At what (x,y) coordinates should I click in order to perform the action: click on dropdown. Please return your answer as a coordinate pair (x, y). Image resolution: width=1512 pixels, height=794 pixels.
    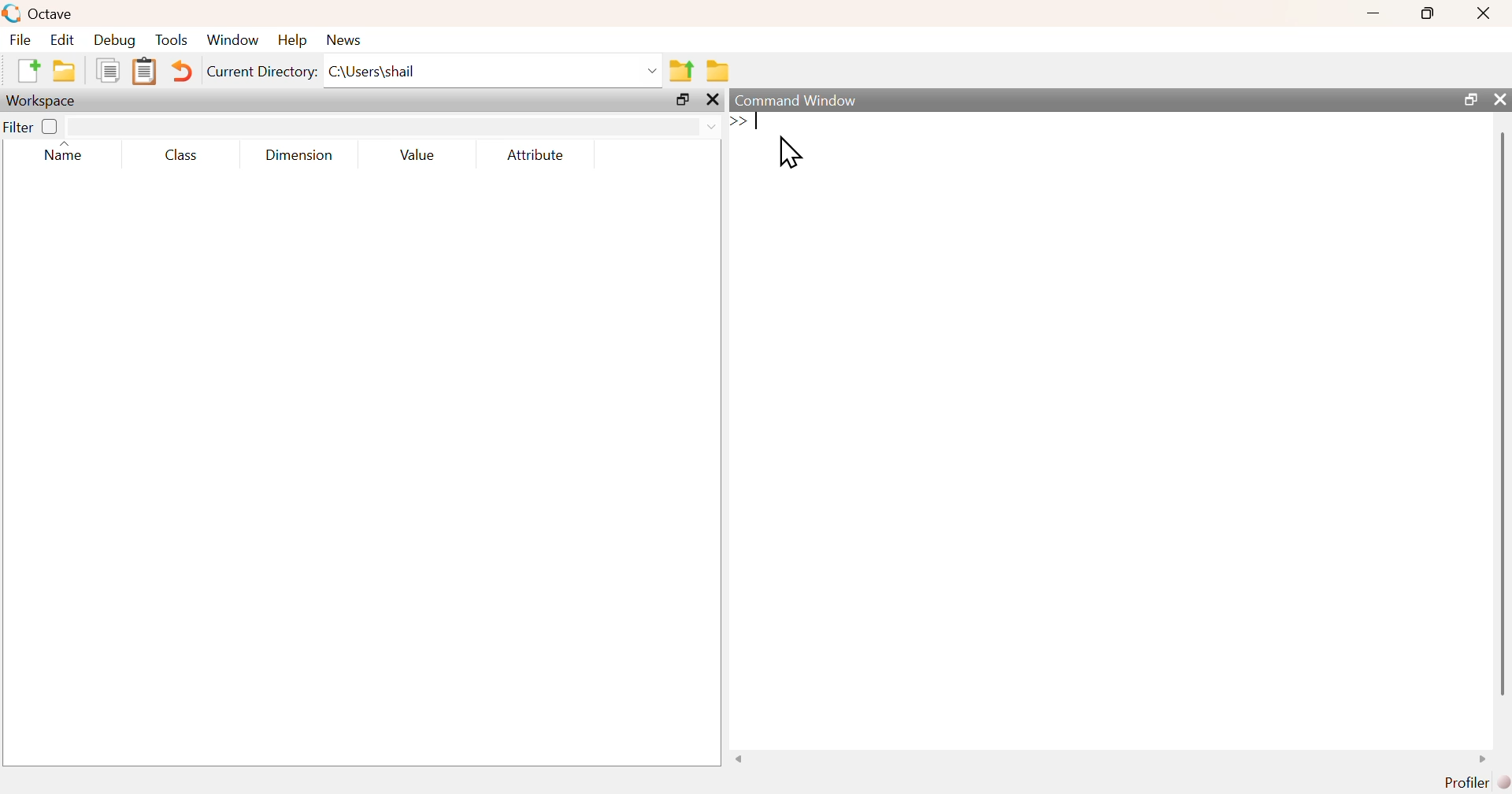
    Looking at the image, I should click on (710, 128).